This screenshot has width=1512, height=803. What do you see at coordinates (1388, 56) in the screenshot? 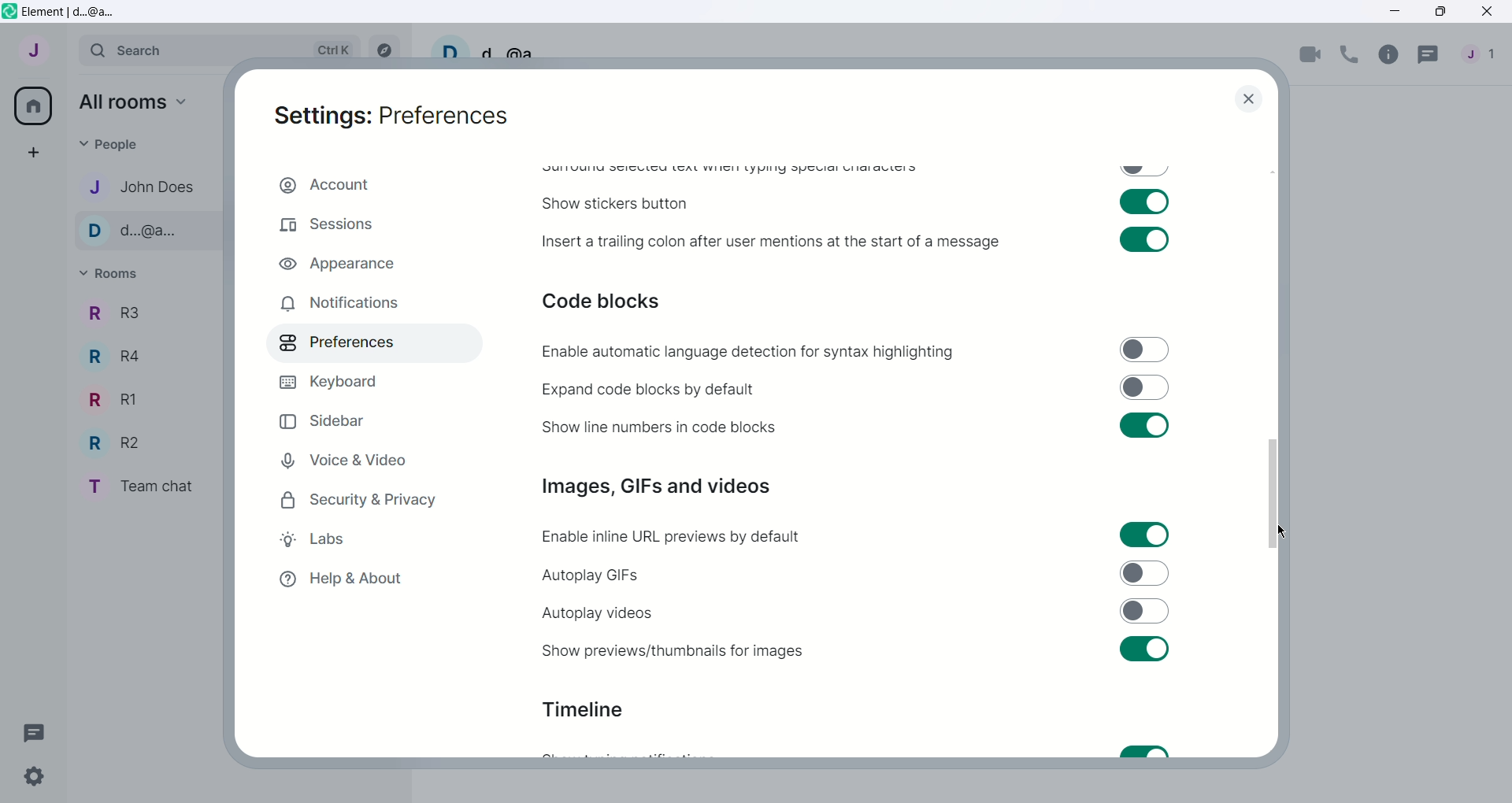
I see `Room info` at bounding box center [1388, 56].